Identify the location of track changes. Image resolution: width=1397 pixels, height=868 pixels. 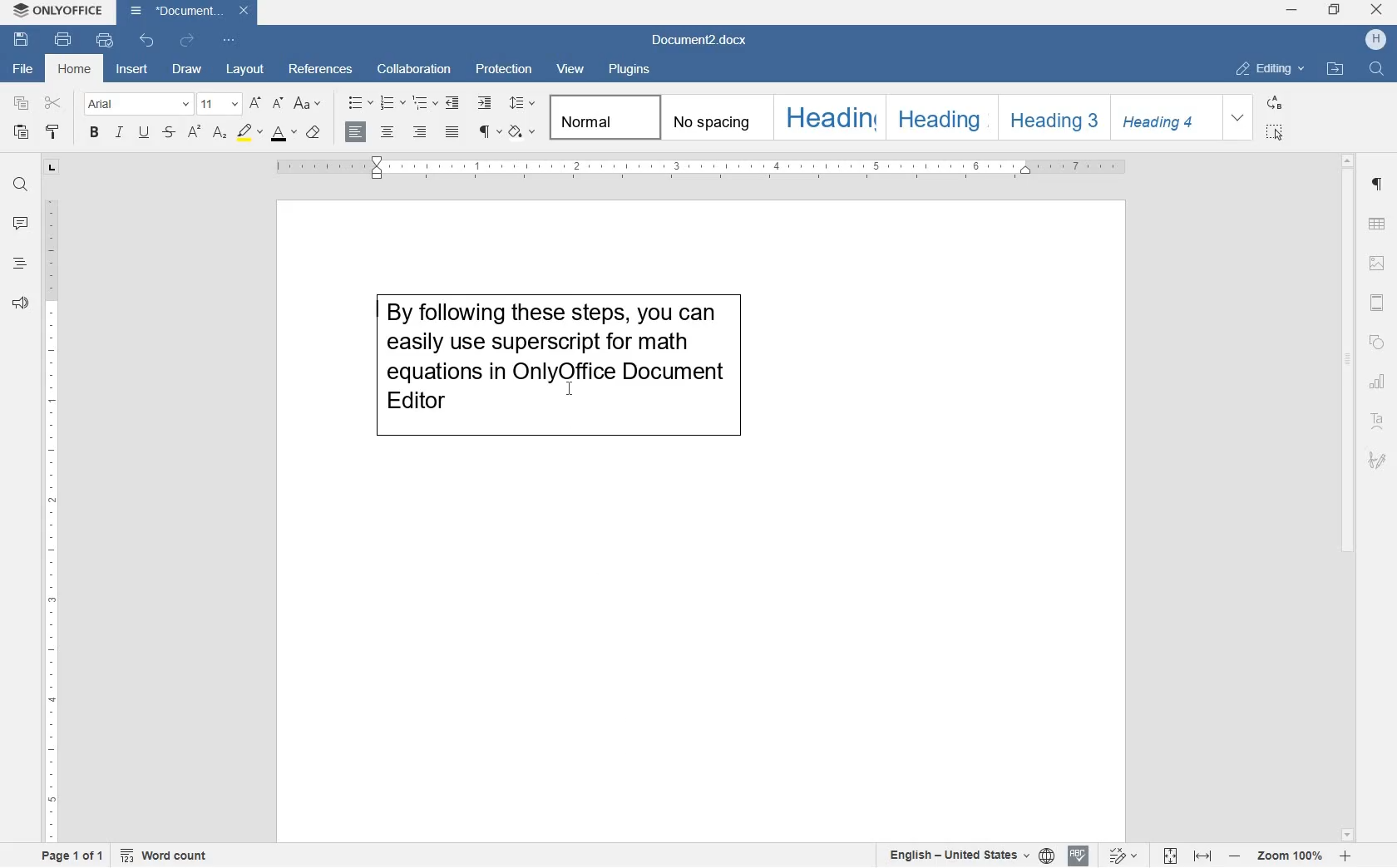
(1124, 855).